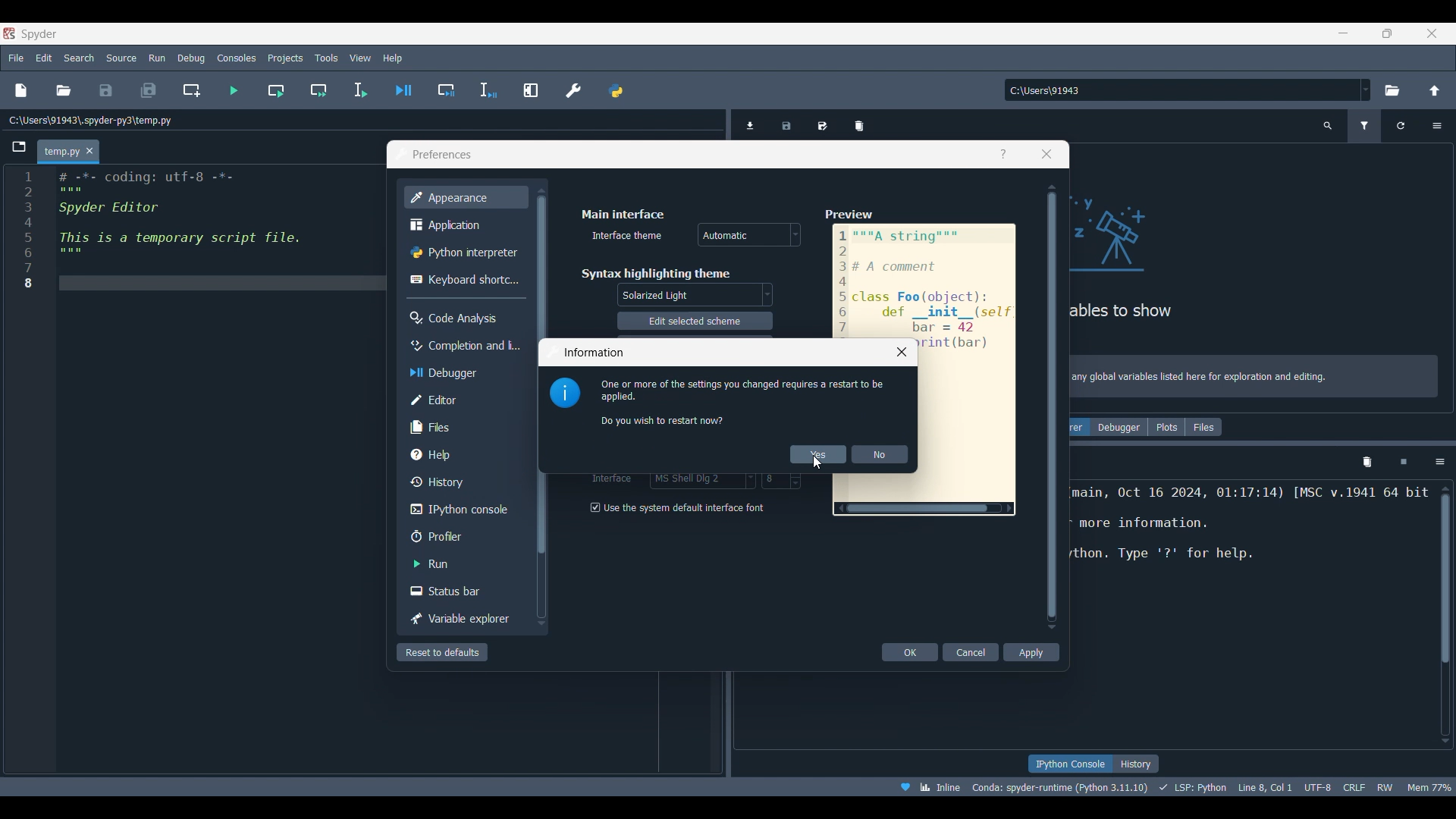  I want to click on cursor details, so click(1266, 786).